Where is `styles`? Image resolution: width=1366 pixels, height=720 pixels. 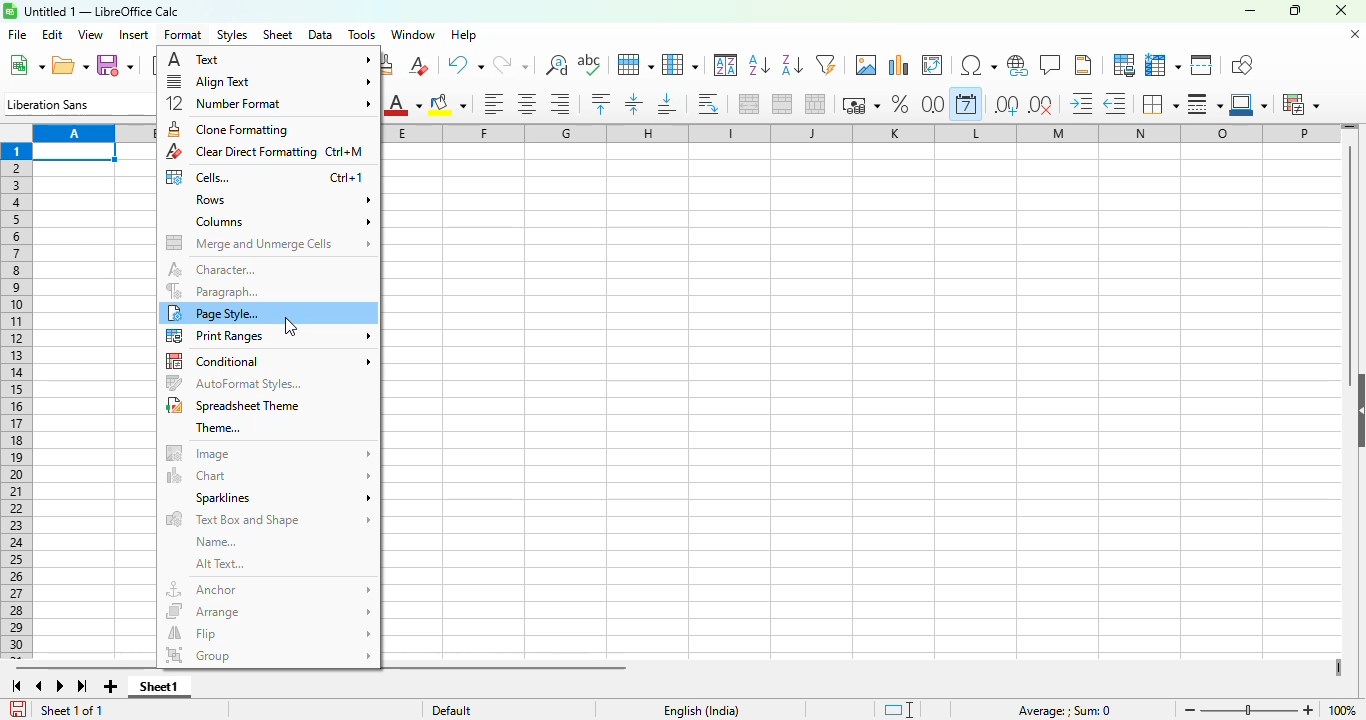
styles is located at coordinates (233, 35).